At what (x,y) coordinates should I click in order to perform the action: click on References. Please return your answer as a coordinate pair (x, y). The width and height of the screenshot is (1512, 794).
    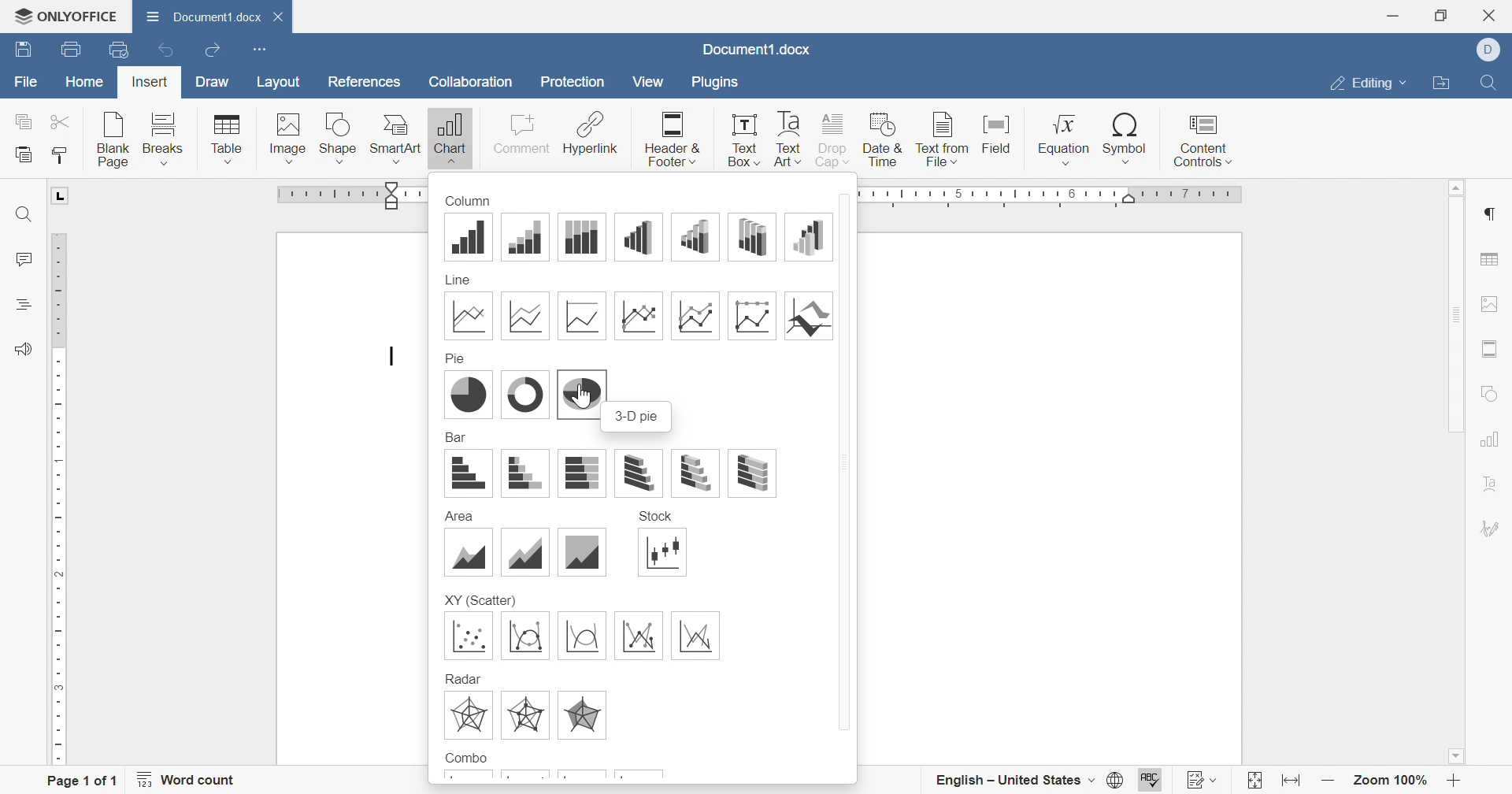
    Looking at the image, I should click on (366, 81).